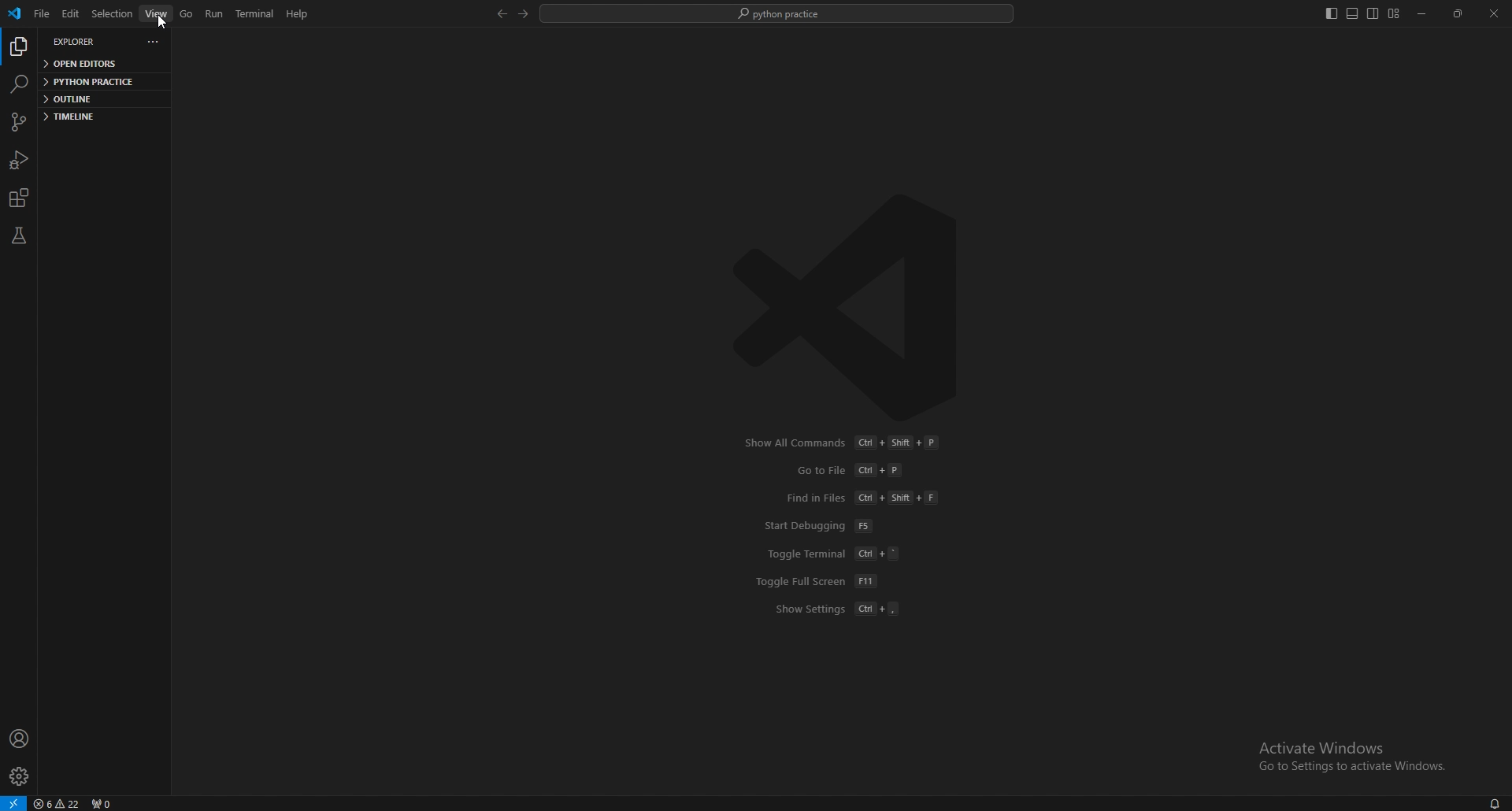 The height and width of the screenshot is (811, 1512). Describe the element at coordinates (19, 122) in the screenshot. I see `source control` at that location.